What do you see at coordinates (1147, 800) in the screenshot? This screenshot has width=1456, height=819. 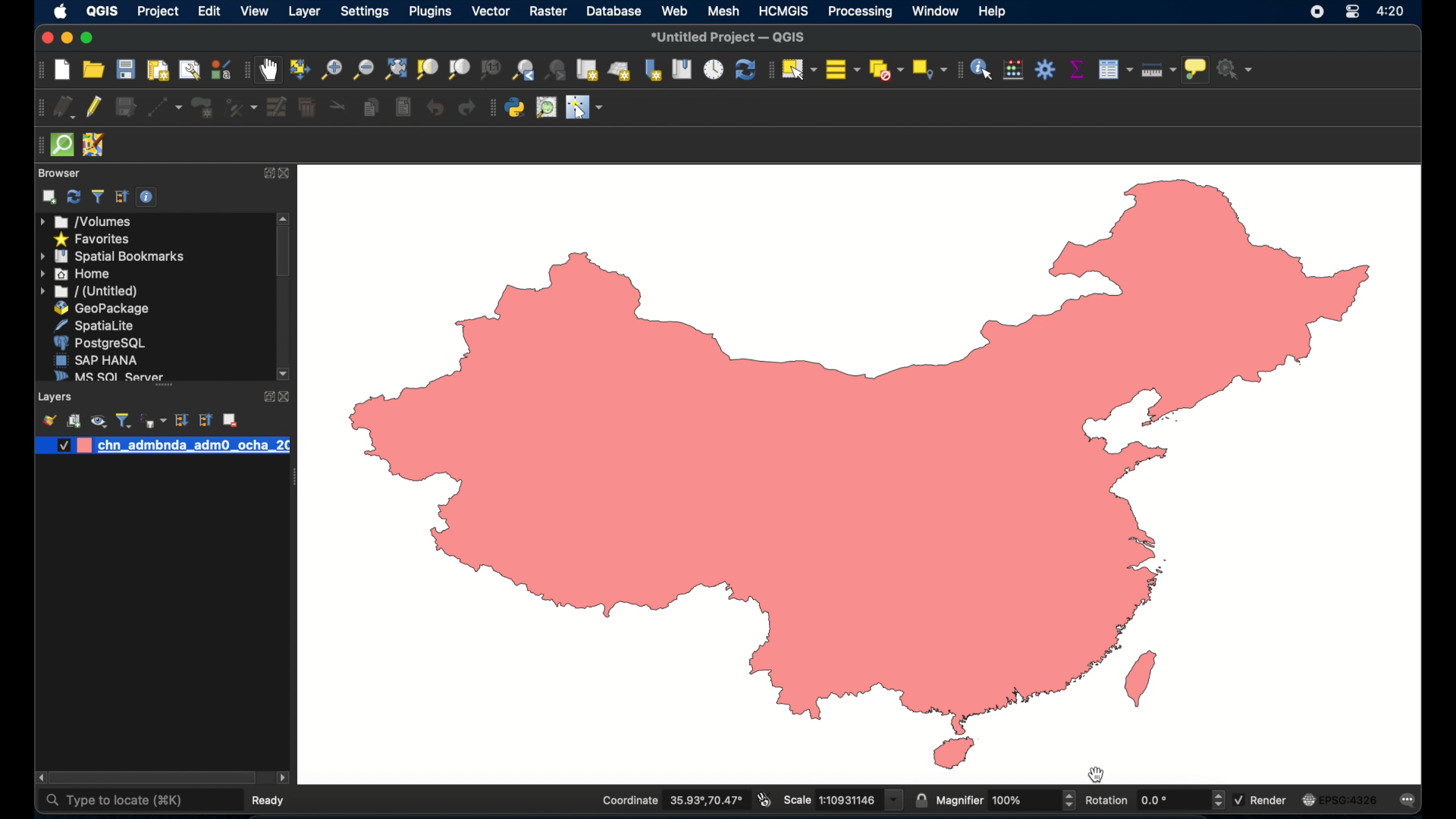 I see `rotation` at bounding box center [1147, 800].